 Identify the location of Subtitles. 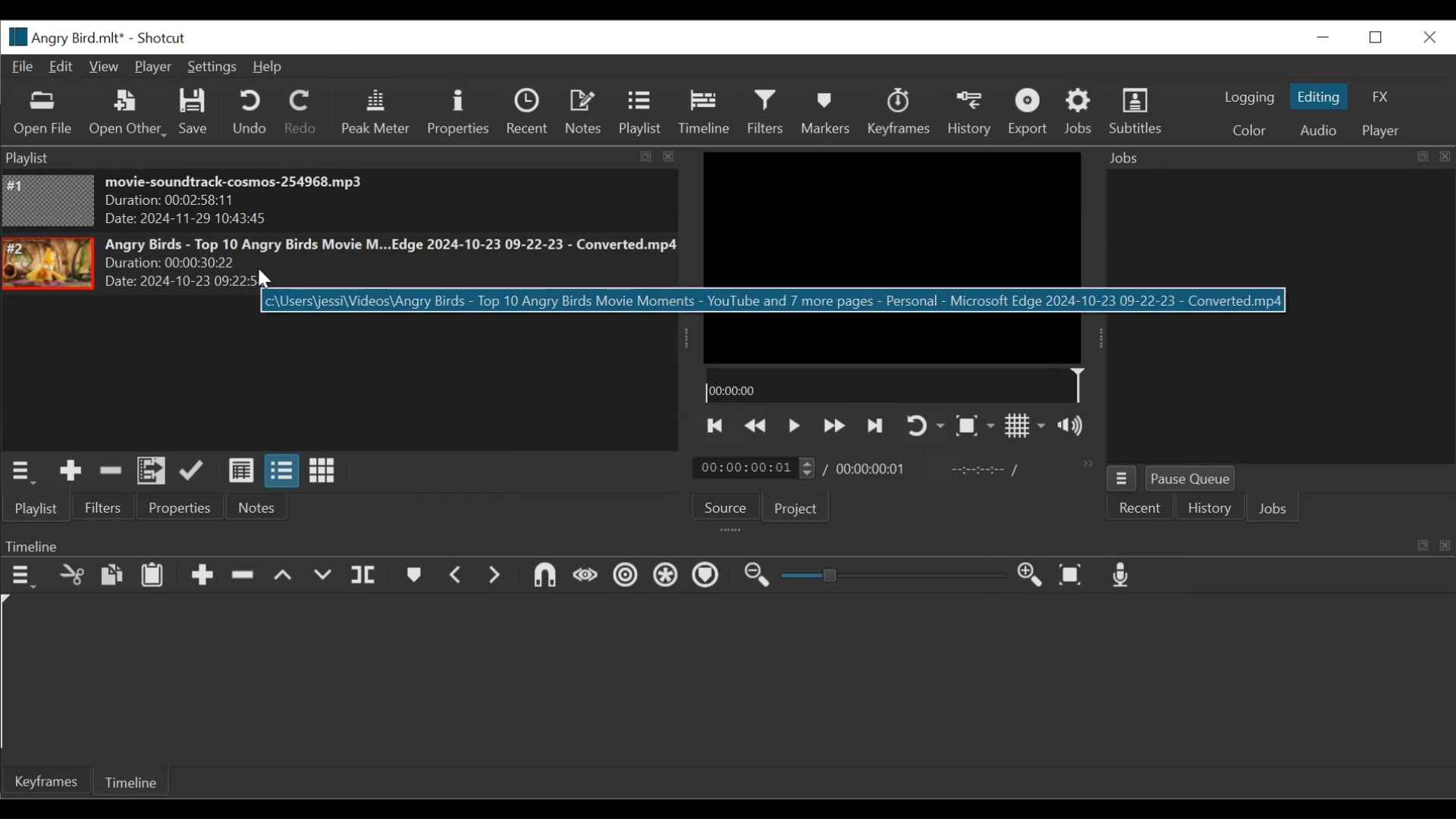
(1141, 113).